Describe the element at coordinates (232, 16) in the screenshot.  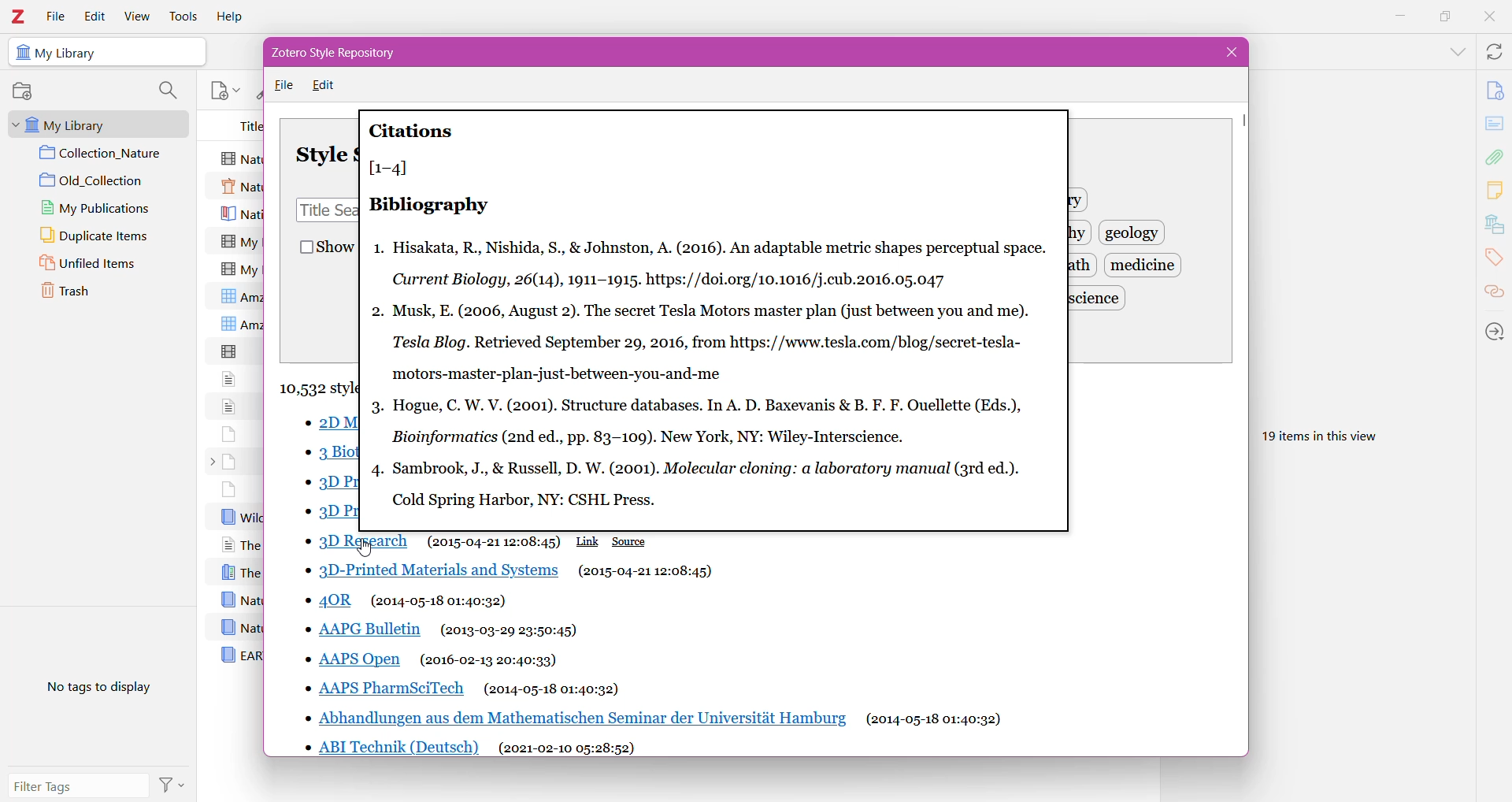
I see `Help` at that location.